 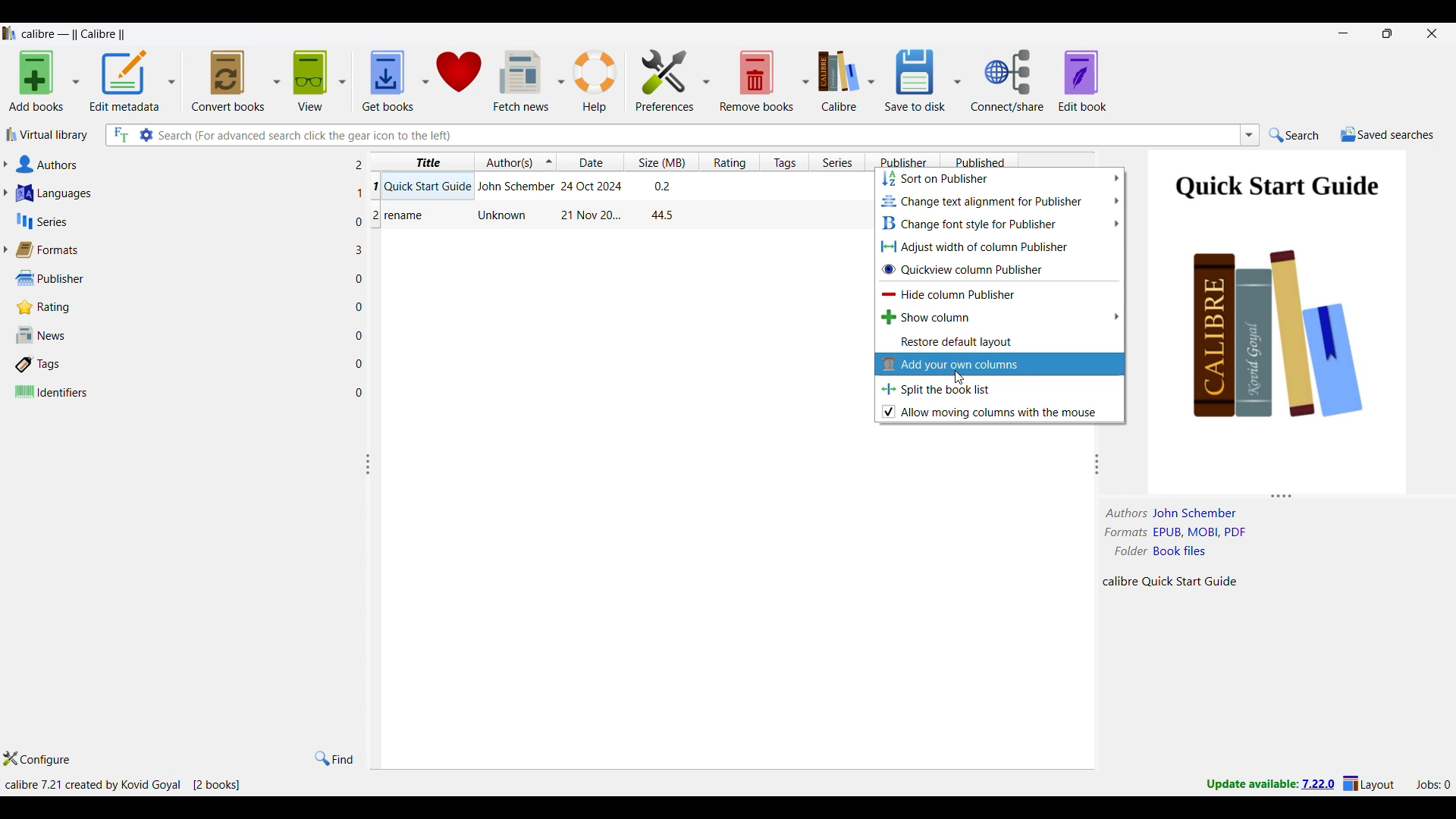 I want to click on Change text alignment for Publisher options, so click(x=999, y=201).